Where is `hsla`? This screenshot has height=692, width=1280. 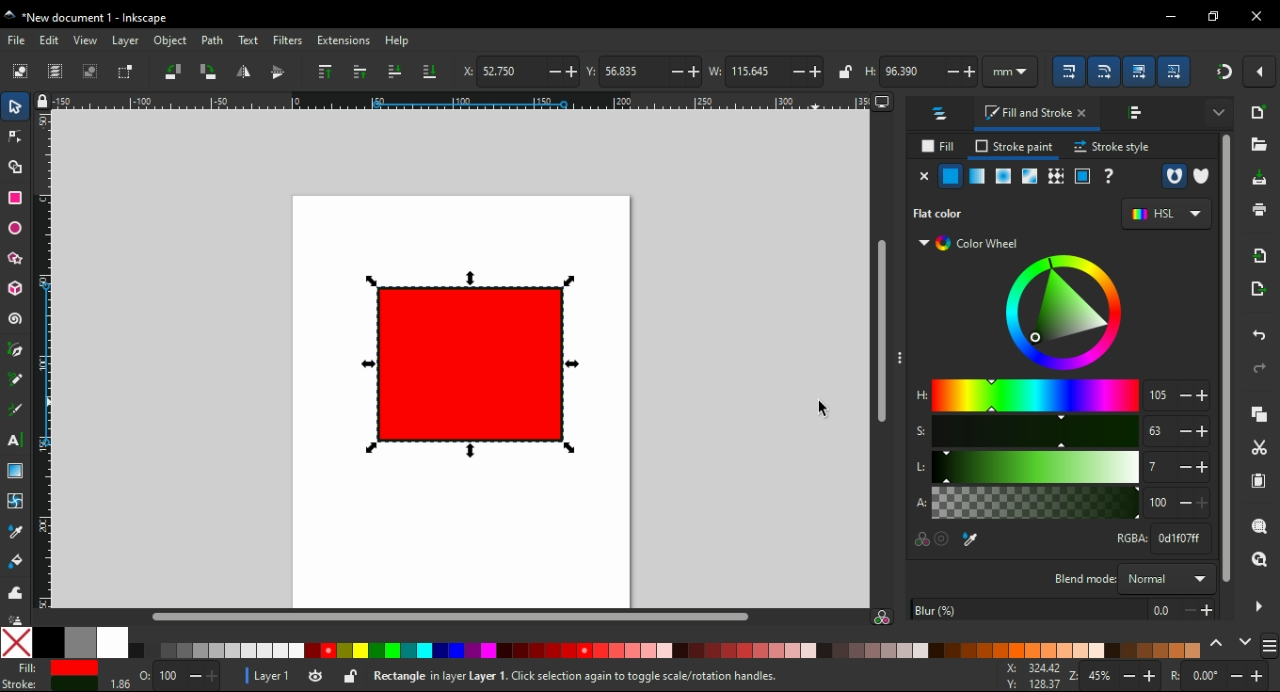 hsla is located at coordinates (918, 447).